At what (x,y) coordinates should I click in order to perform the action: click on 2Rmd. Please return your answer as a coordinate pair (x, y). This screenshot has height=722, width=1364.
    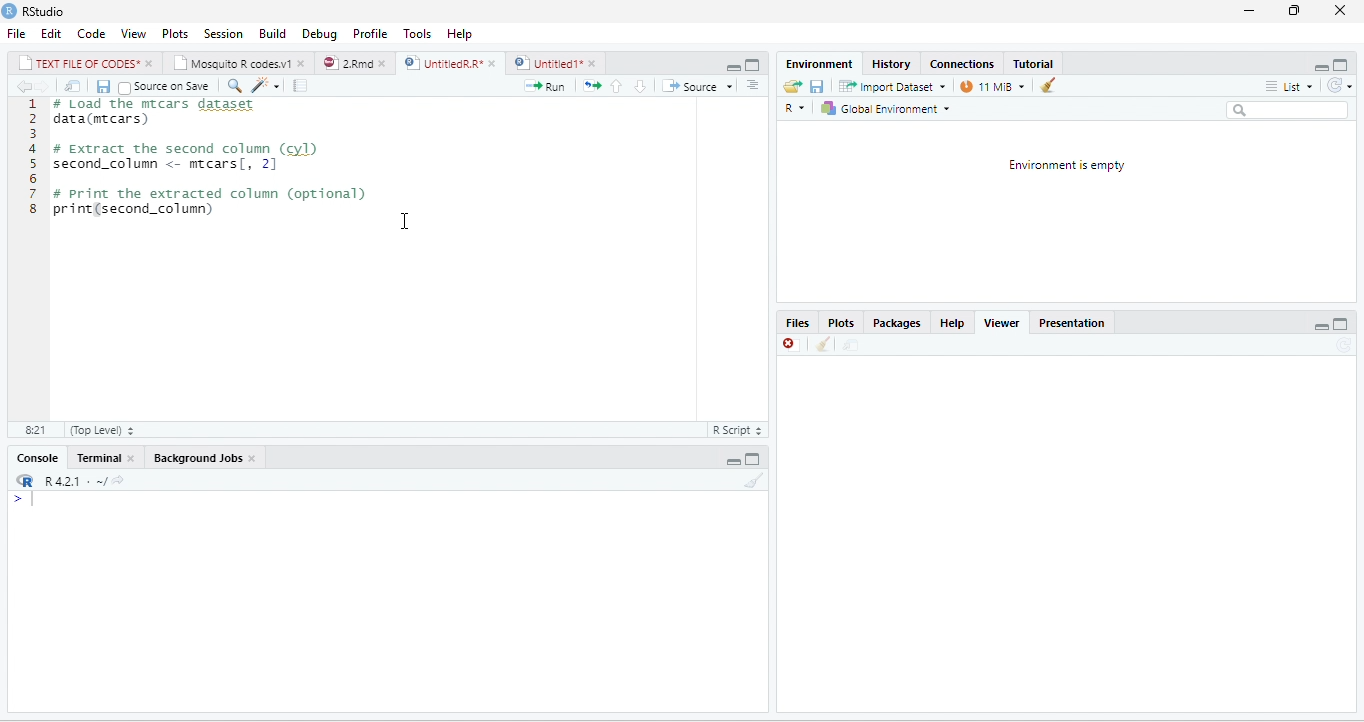
    Looking at the image, I should click on (346, 63).